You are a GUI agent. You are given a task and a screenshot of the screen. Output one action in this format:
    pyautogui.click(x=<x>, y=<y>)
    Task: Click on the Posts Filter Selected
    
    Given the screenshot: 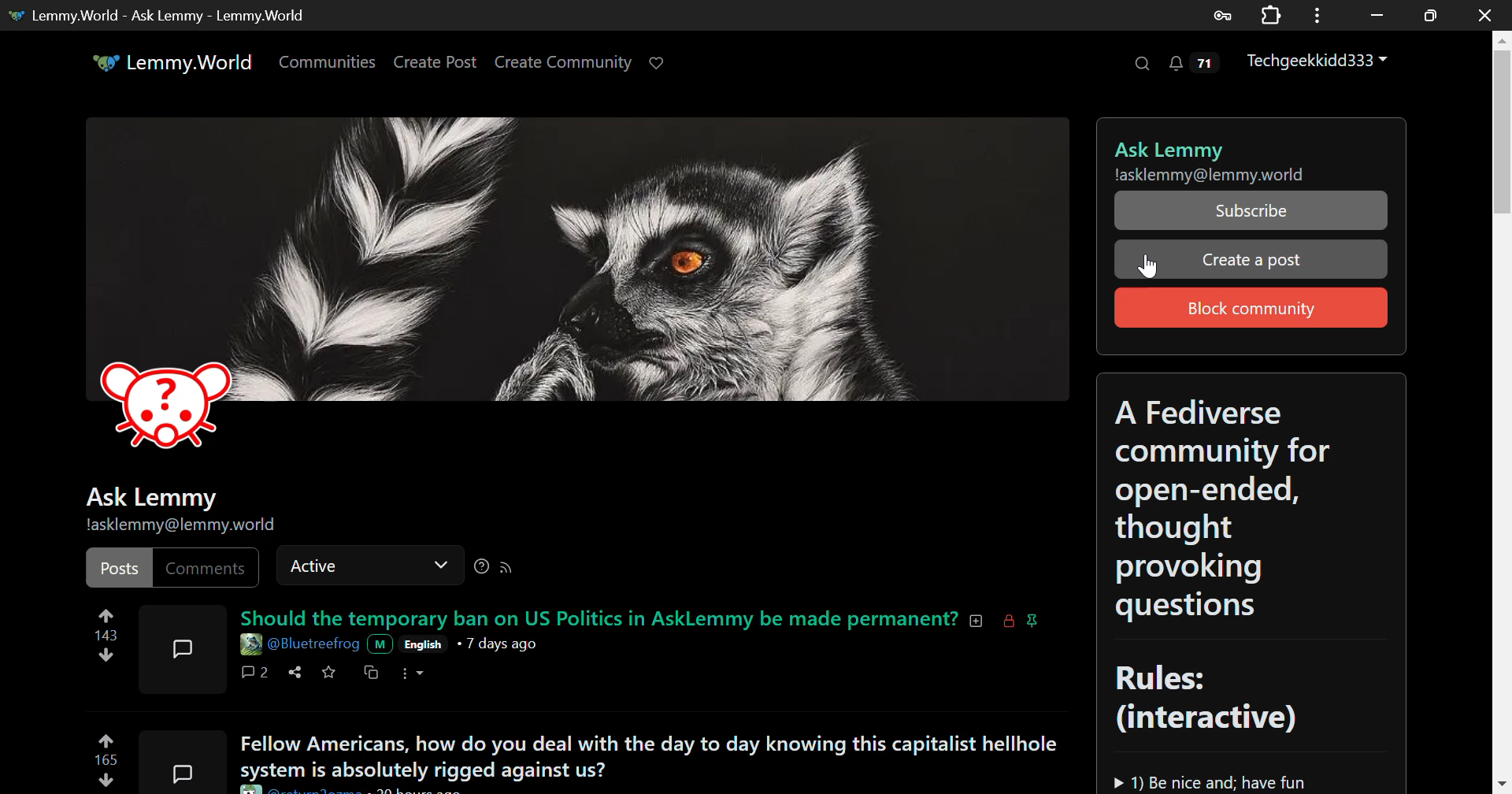 What is the action you would take?
    pyautogui.click(x=121, y=568)
    